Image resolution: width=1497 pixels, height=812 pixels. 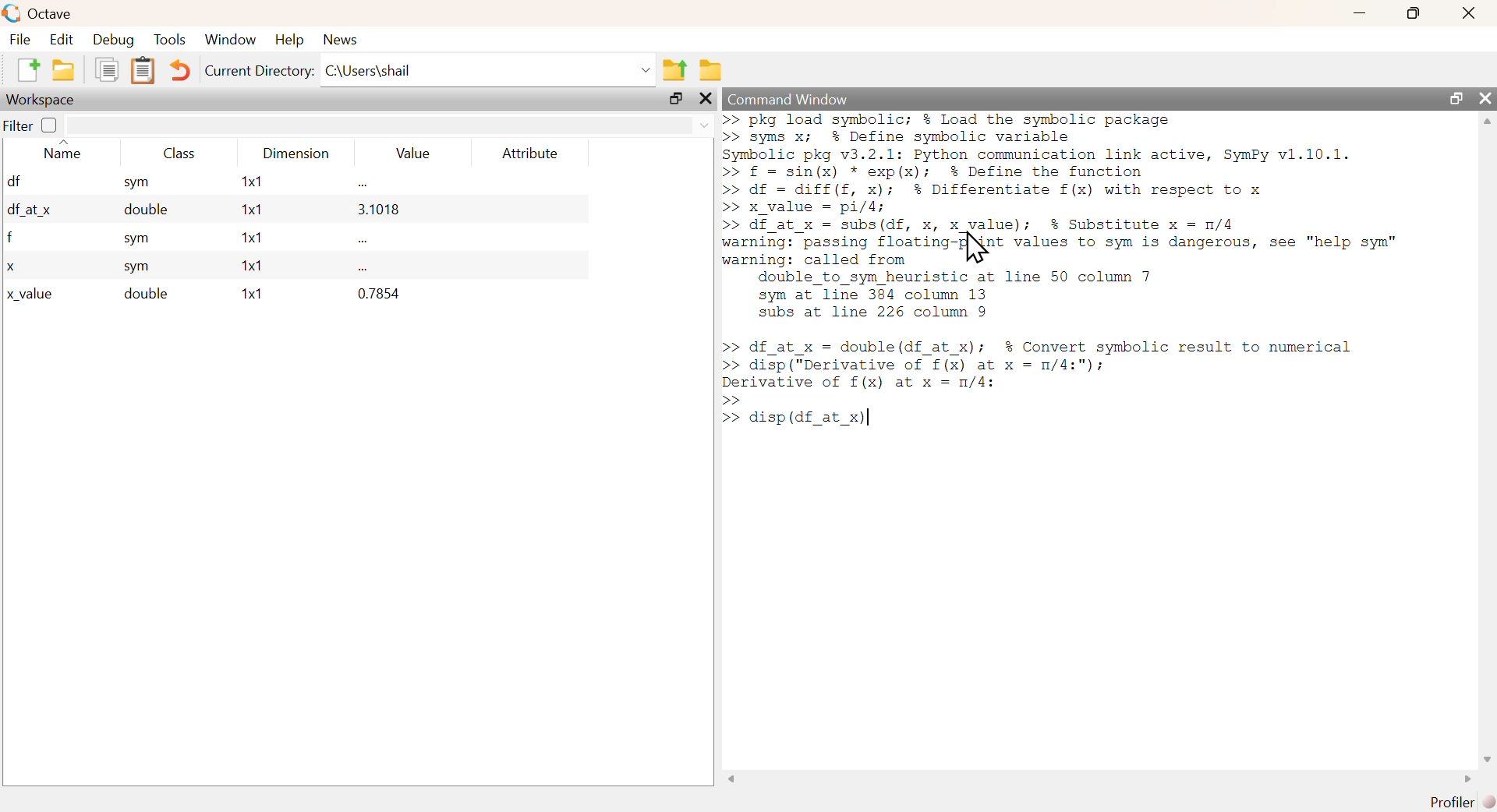 I want to click on 1x1, so click(x=253, y=210).